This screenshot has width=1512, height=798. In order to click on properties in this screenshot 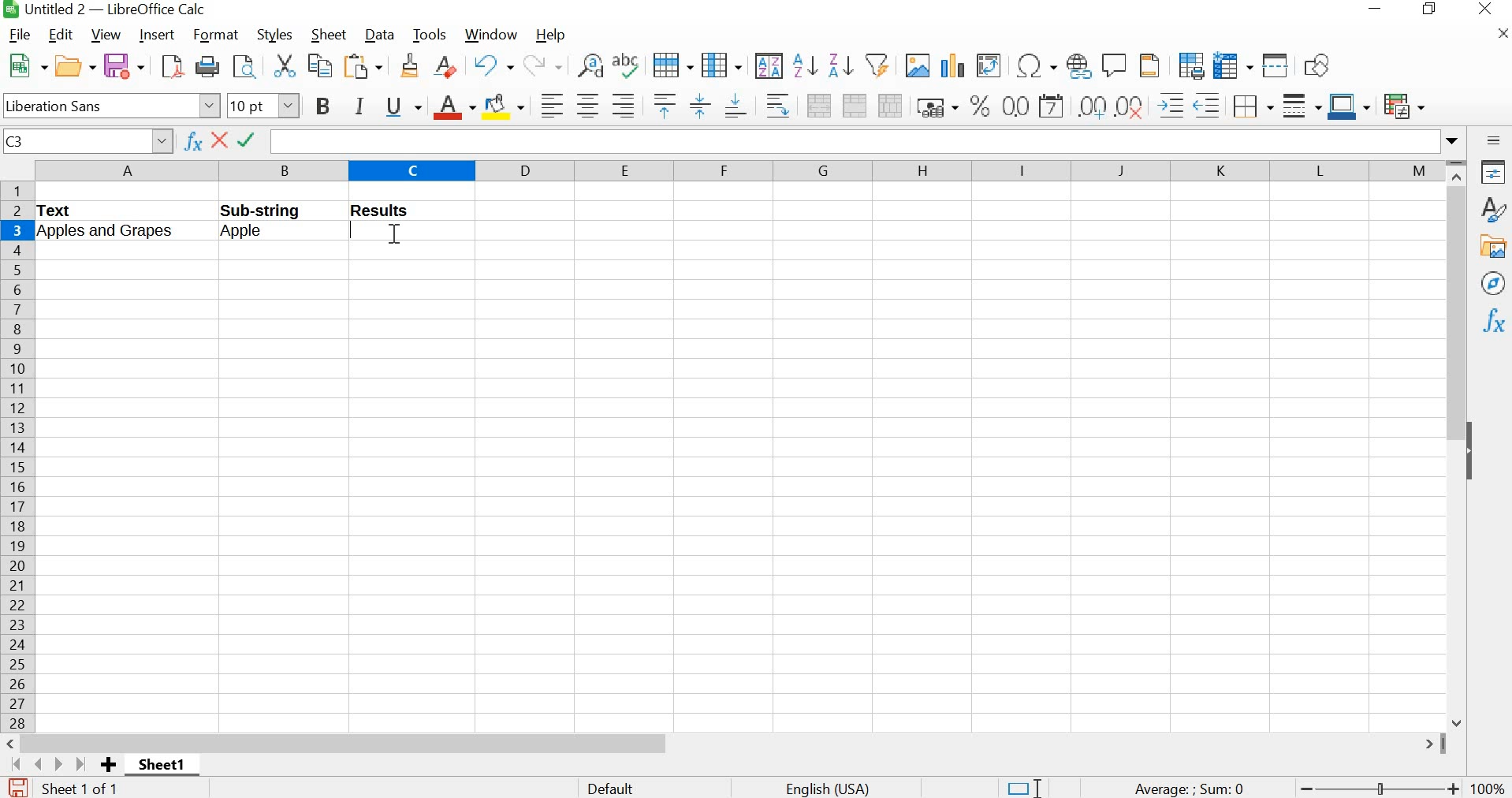, I will do `click(1492, 170)`.